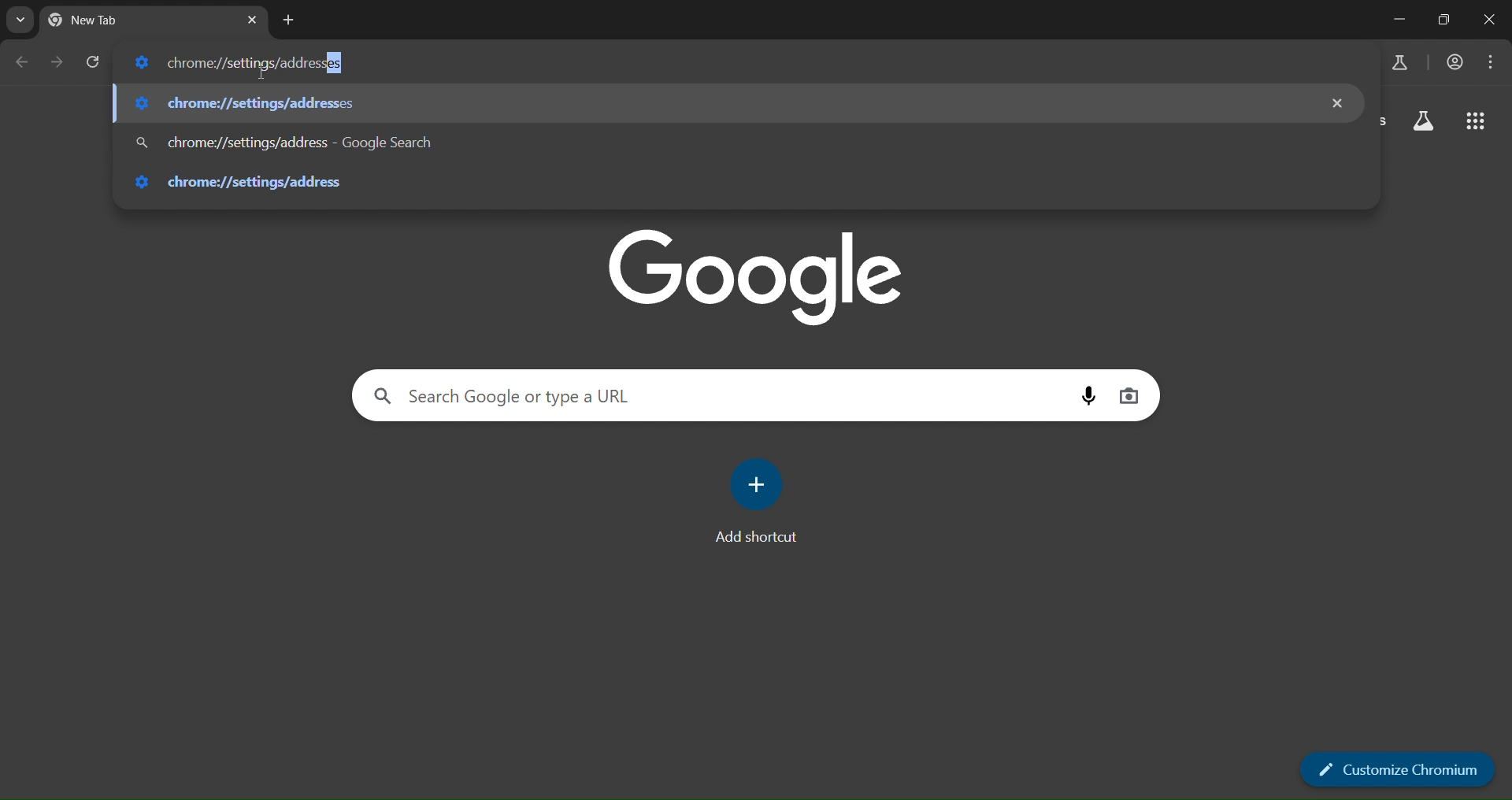 The width and height of the screenshot is (1512, 800). What do you see at coordinates (722, 145) in the screenshot?
I see `chrome://settings/addresses` at bounding box center [722, 145].